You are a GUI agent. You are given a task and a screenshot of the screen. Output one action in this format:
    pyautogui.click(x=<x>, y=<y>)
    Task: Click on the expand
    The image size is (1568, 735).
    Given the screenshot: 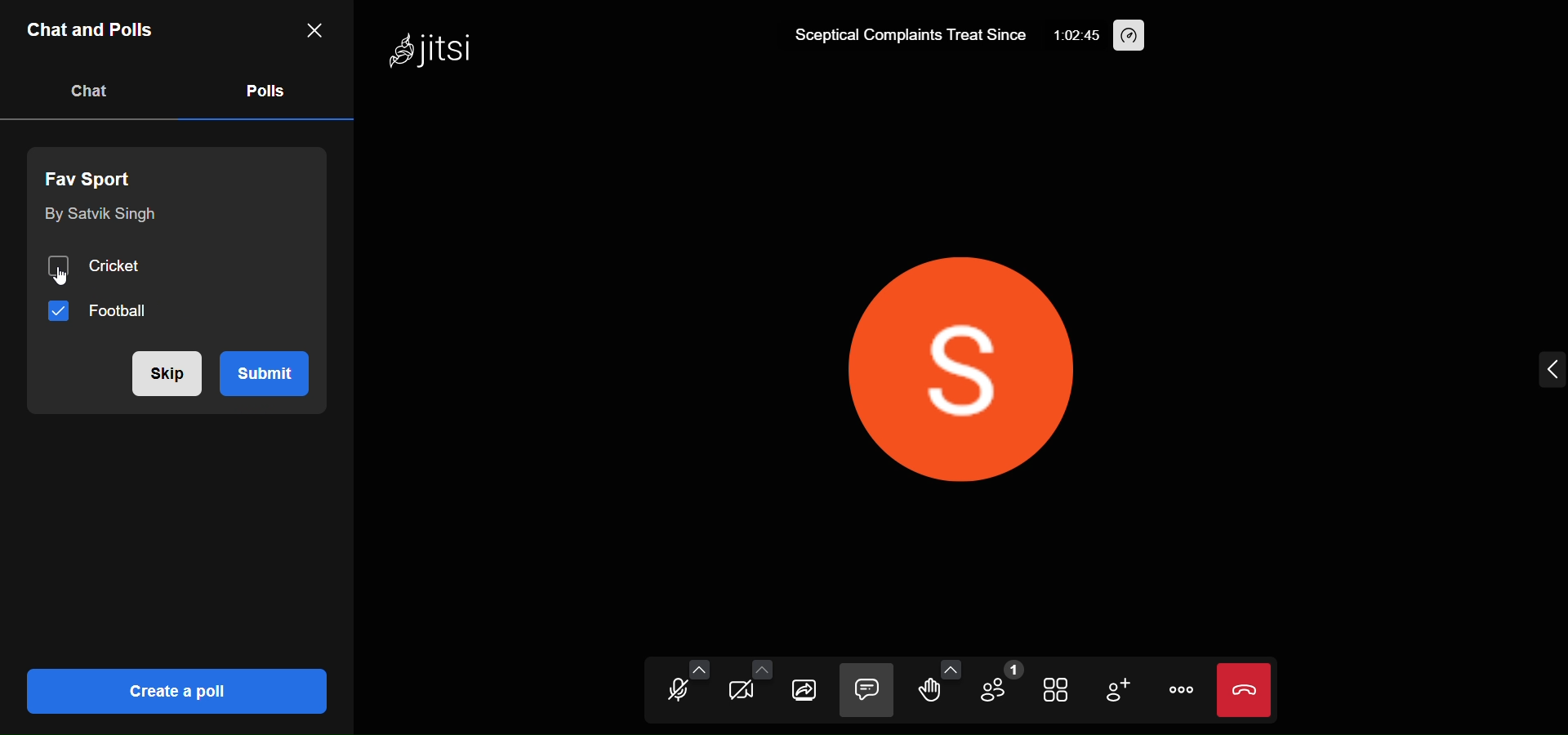 What is the action you would take?
    pyautogui.click(x=1550, y=371)
    